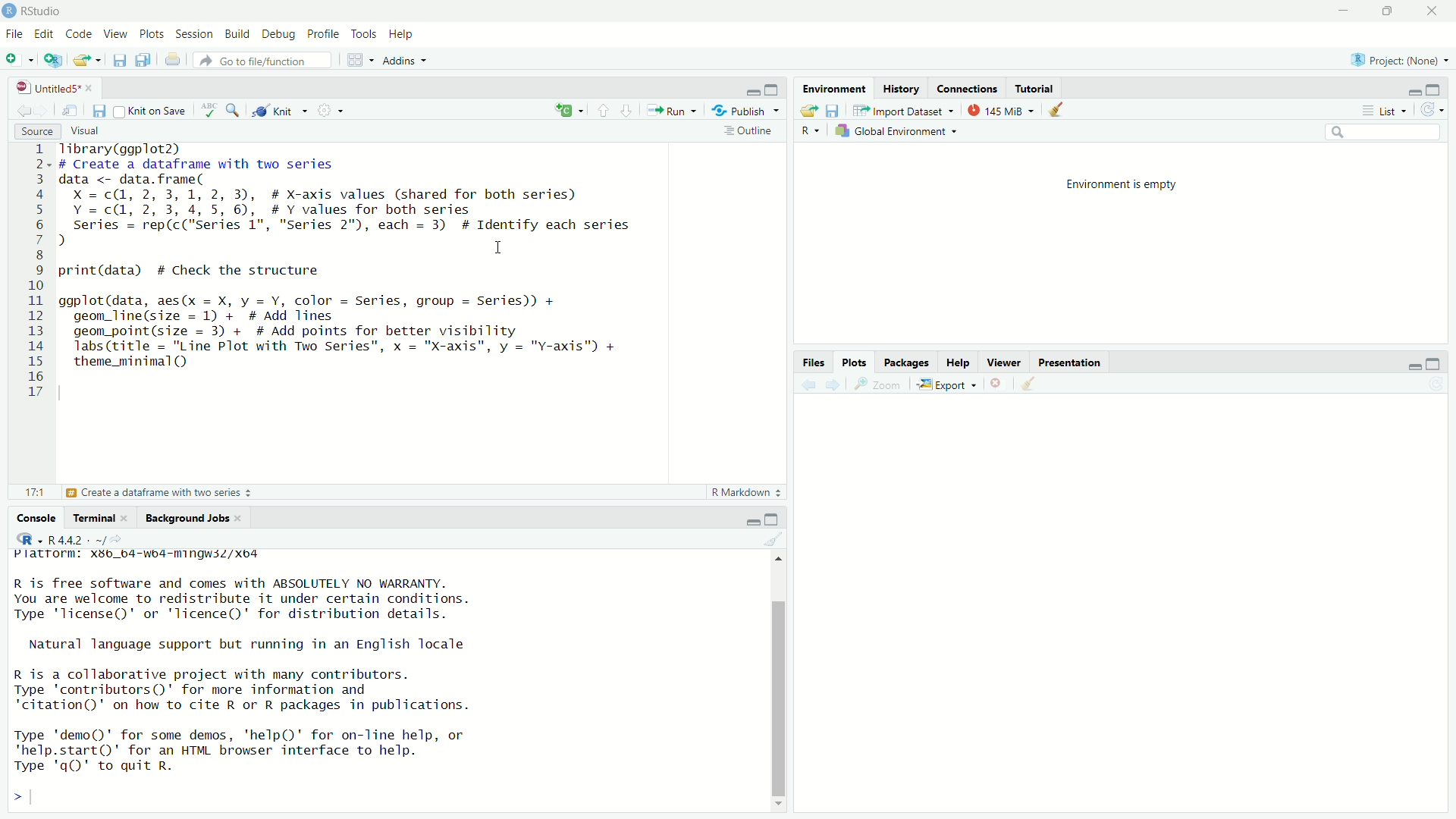 This screenshot has height=819, width=1456. What do you see at coordinates (33, 492) in the screenshot?
I see `17:1` at bounding box center [33, 492].